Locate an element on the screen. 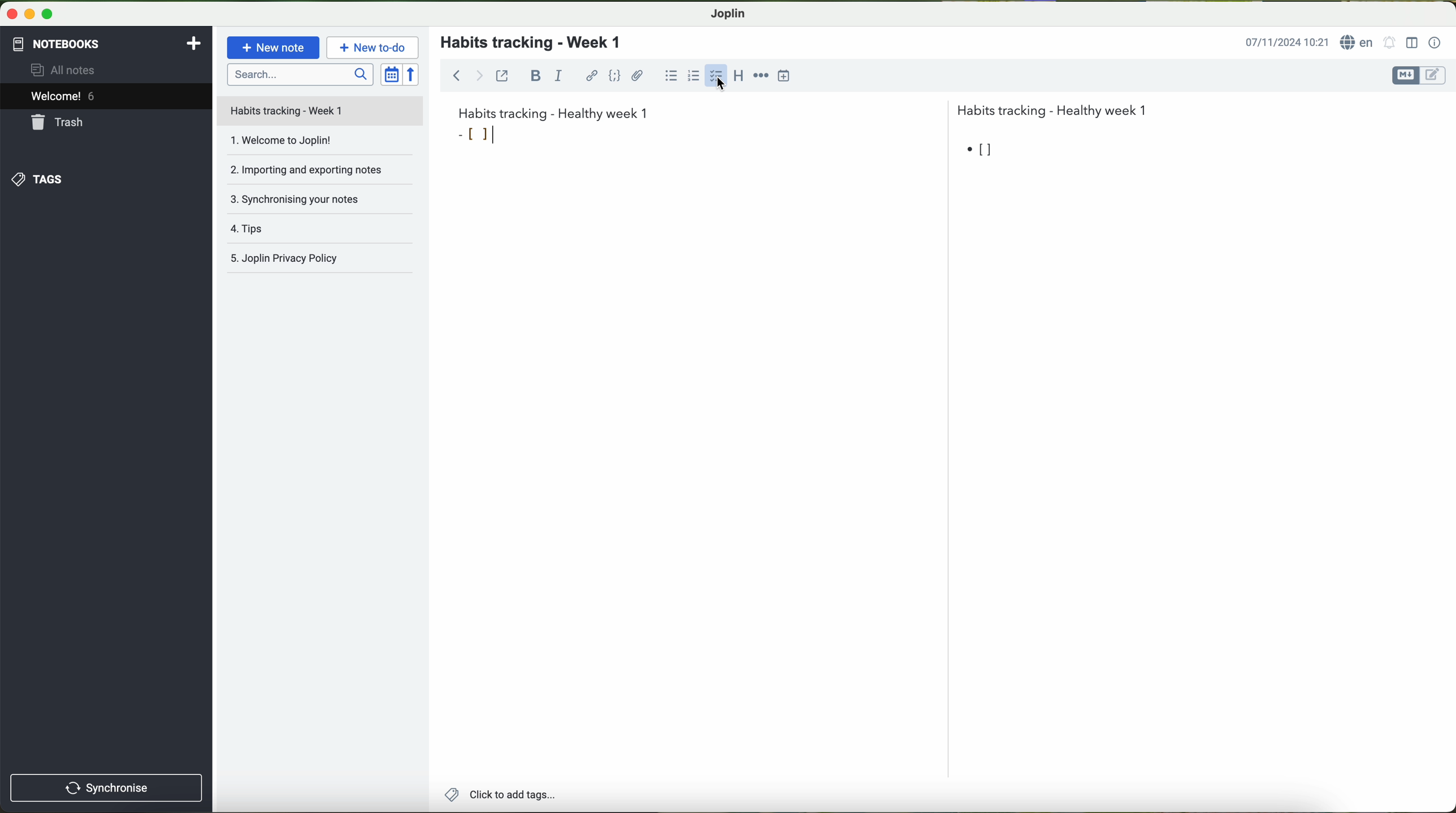  date and hour is located at coordinates (1287, 41).